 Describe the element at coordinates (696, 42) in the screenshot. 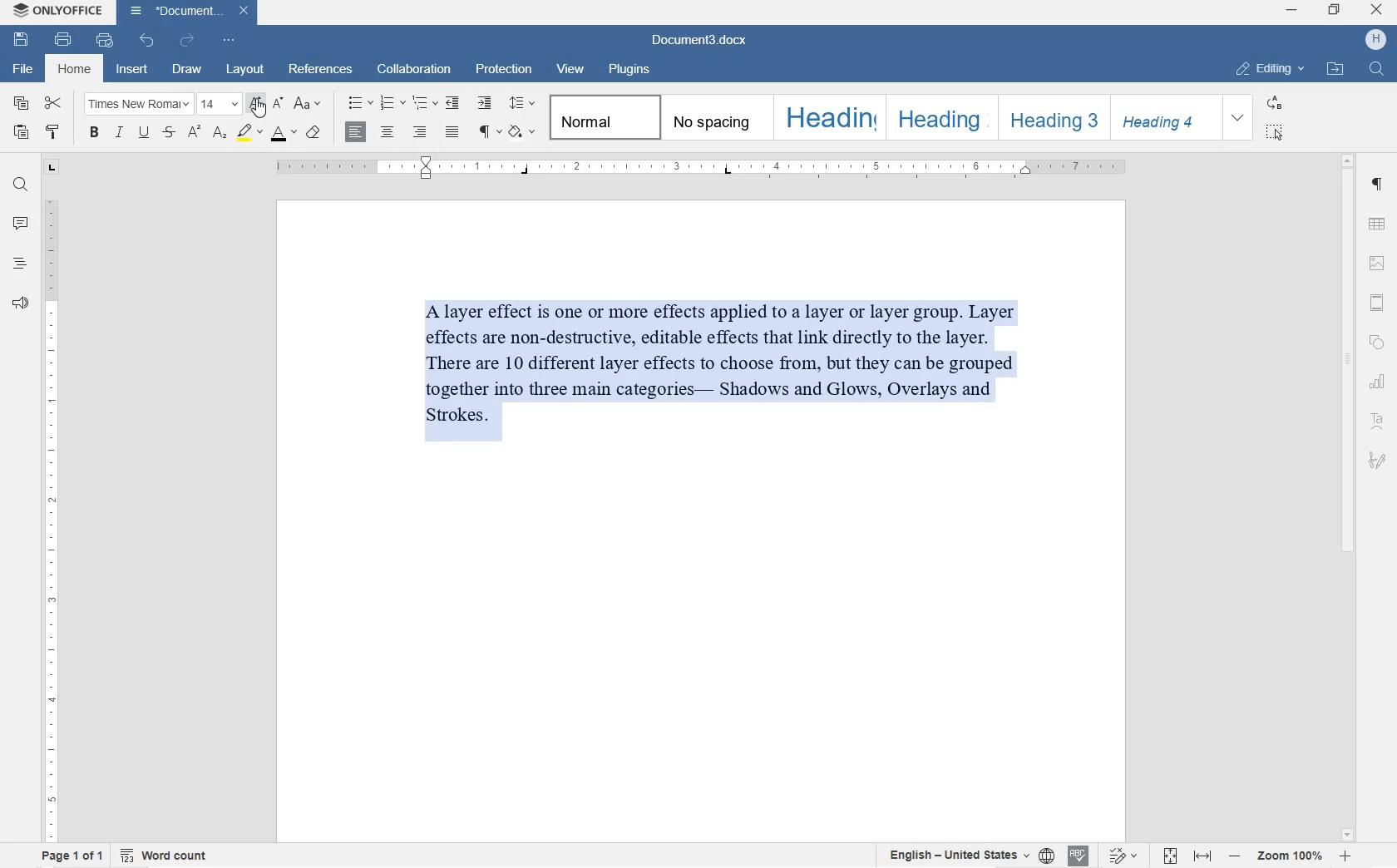

I see `Document3.docx` at that location.